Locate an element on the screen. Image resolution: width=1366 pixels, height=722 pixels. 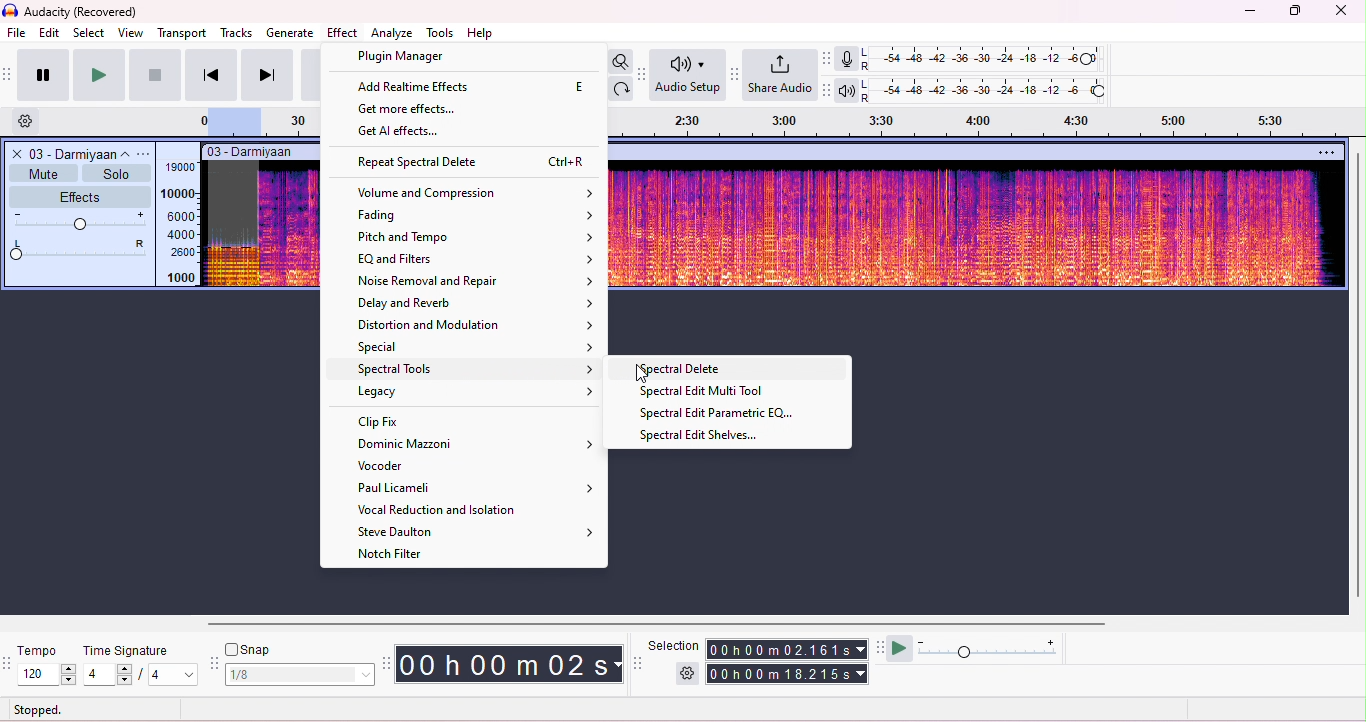
time signature is located at coordinates (124, 651).